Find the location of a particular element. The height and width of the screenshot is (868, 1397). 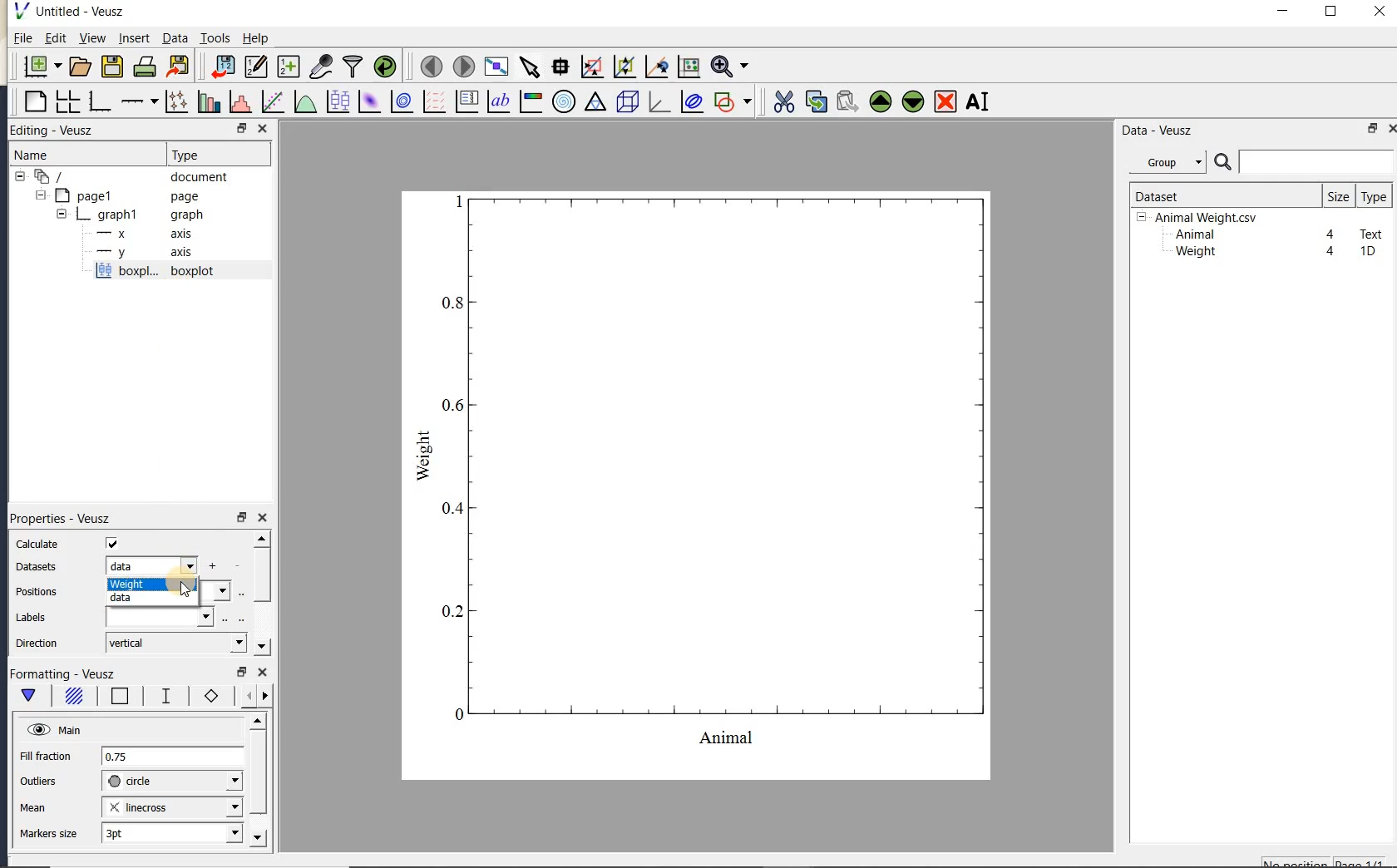

Weight is located at coordinates (1194, 253).